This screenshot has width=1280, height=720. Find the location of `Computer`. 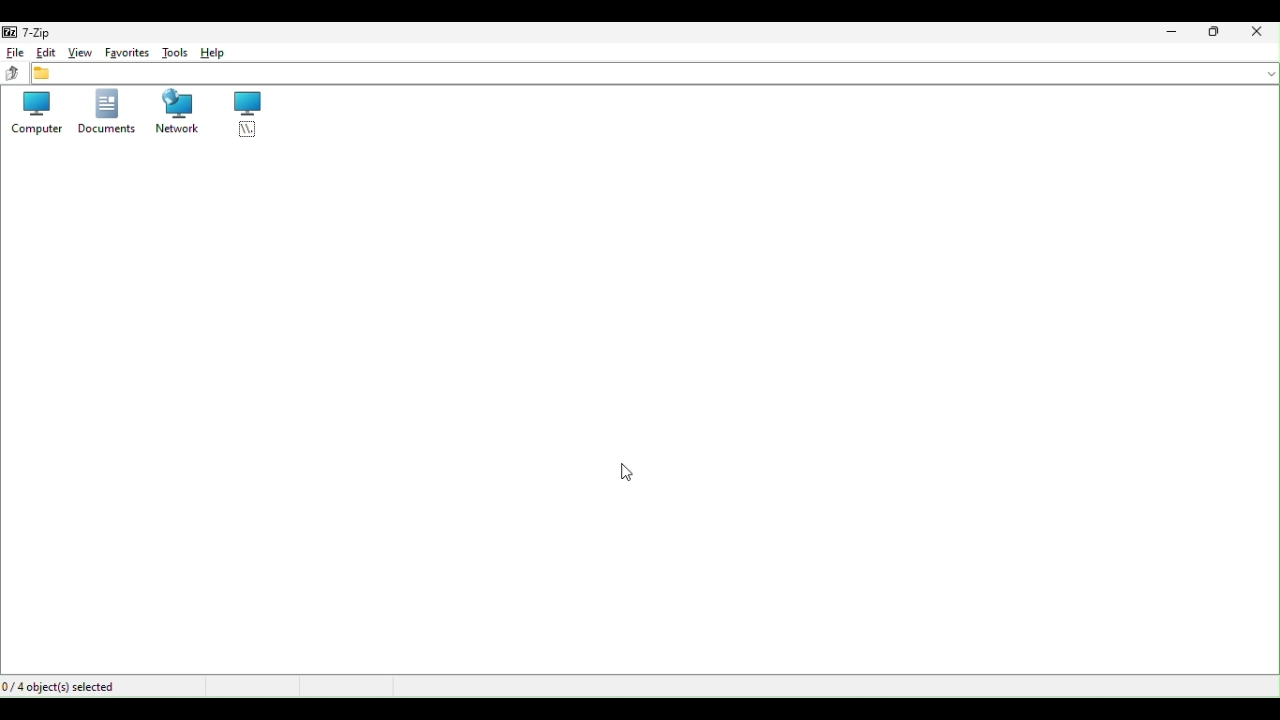

Computer is located at coordinates (36, 116).